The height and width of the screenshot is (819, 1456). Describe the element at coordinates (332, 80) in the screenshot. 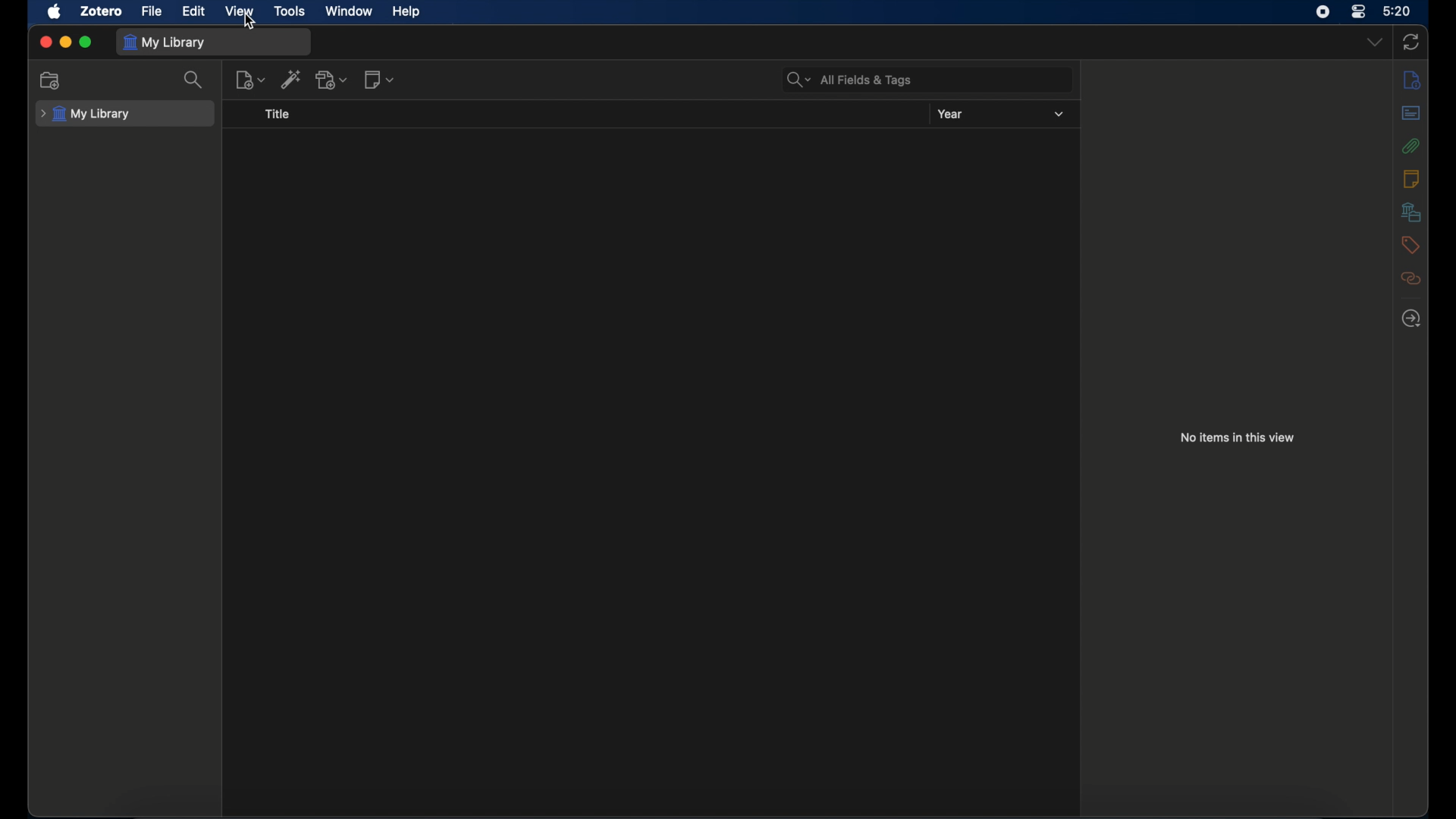

I see `add attachment` at that location.